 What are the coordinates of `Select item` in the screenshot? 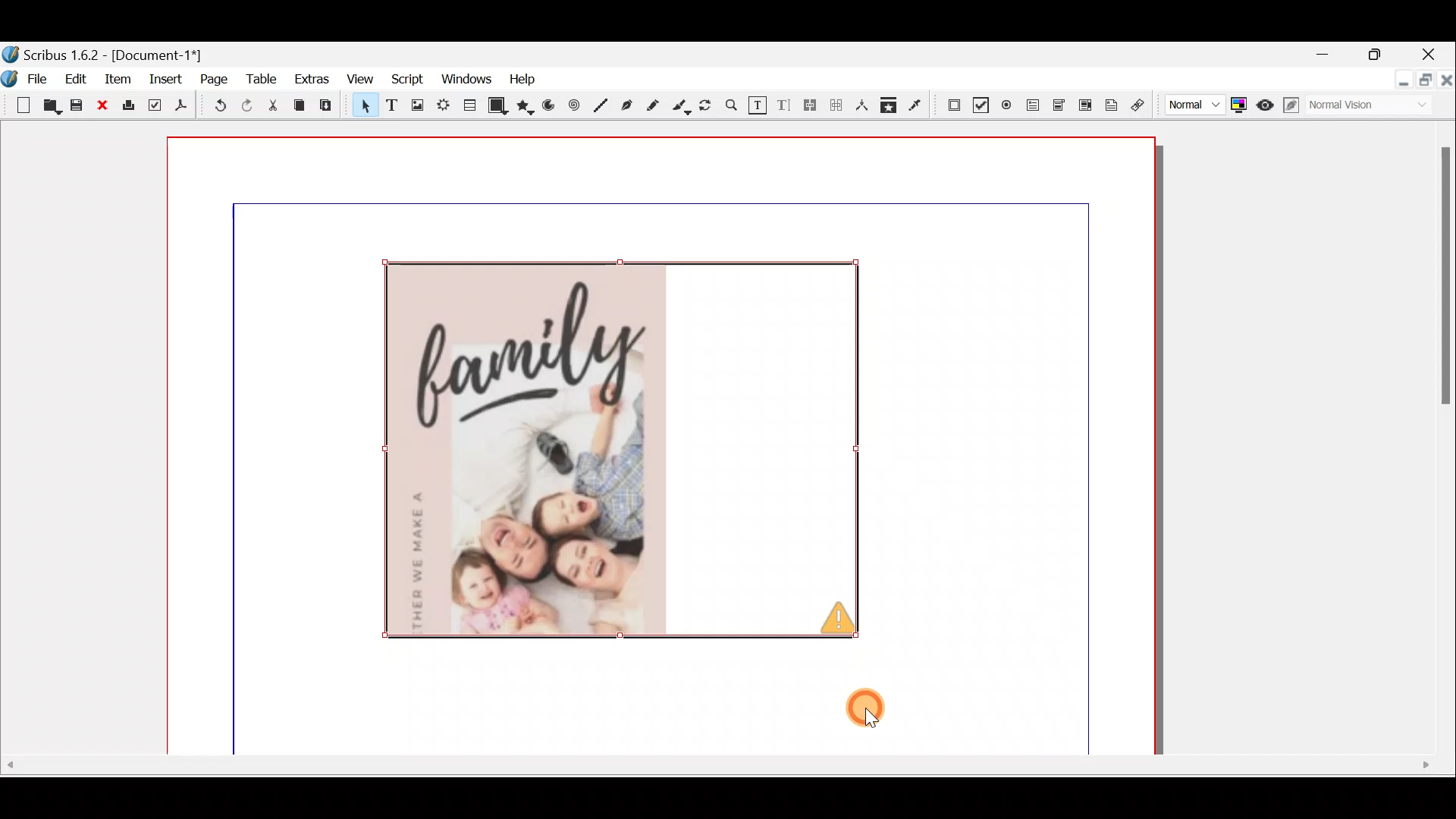 It's located at (362, 108).